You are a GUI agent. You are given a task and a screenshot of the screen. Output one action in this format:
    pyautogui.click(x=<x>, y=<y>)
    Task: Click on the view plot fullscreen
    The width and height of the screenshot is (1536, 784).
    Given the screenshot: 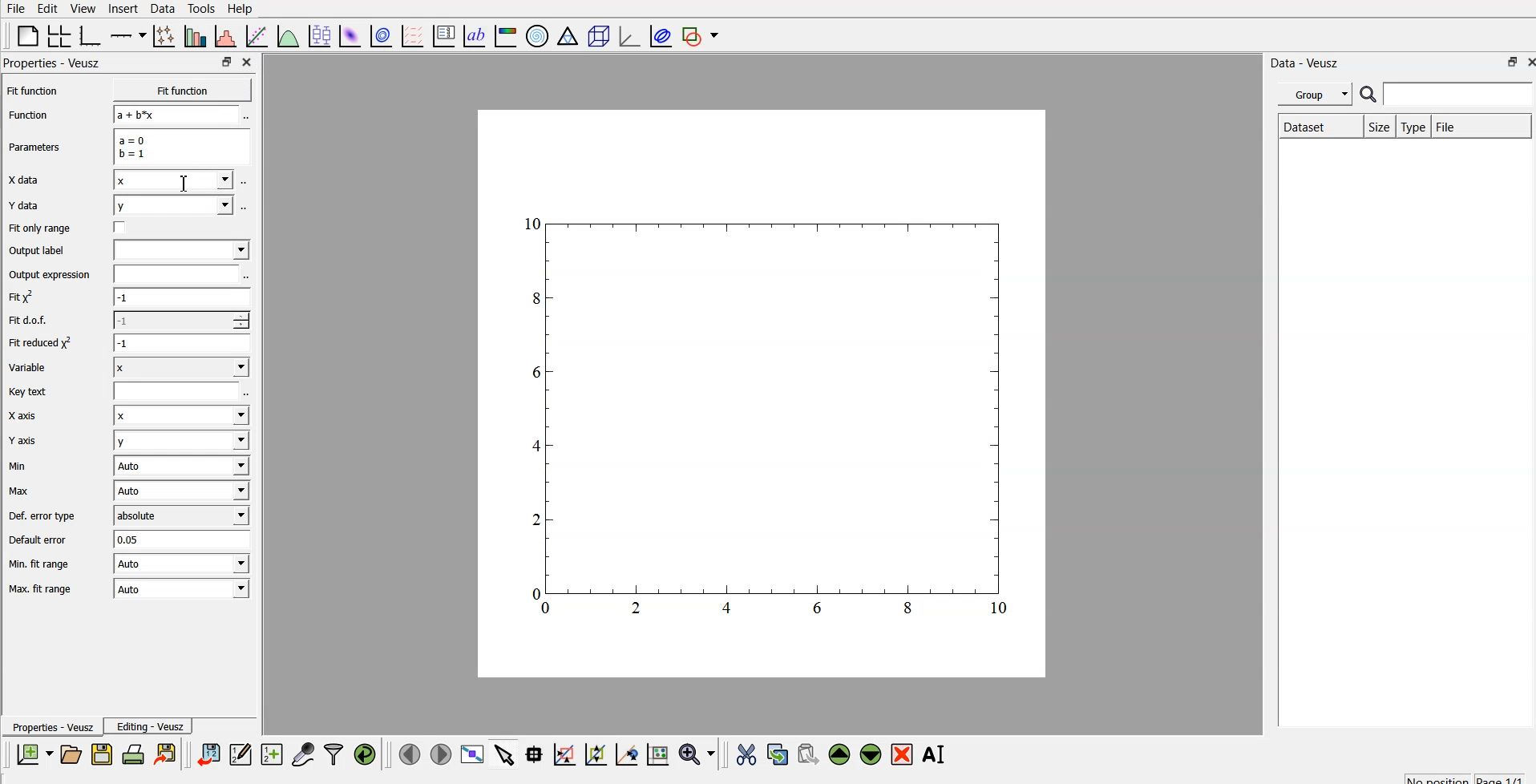 What is the action you would take?
    pyautogui.click(x=474, y=756)
    